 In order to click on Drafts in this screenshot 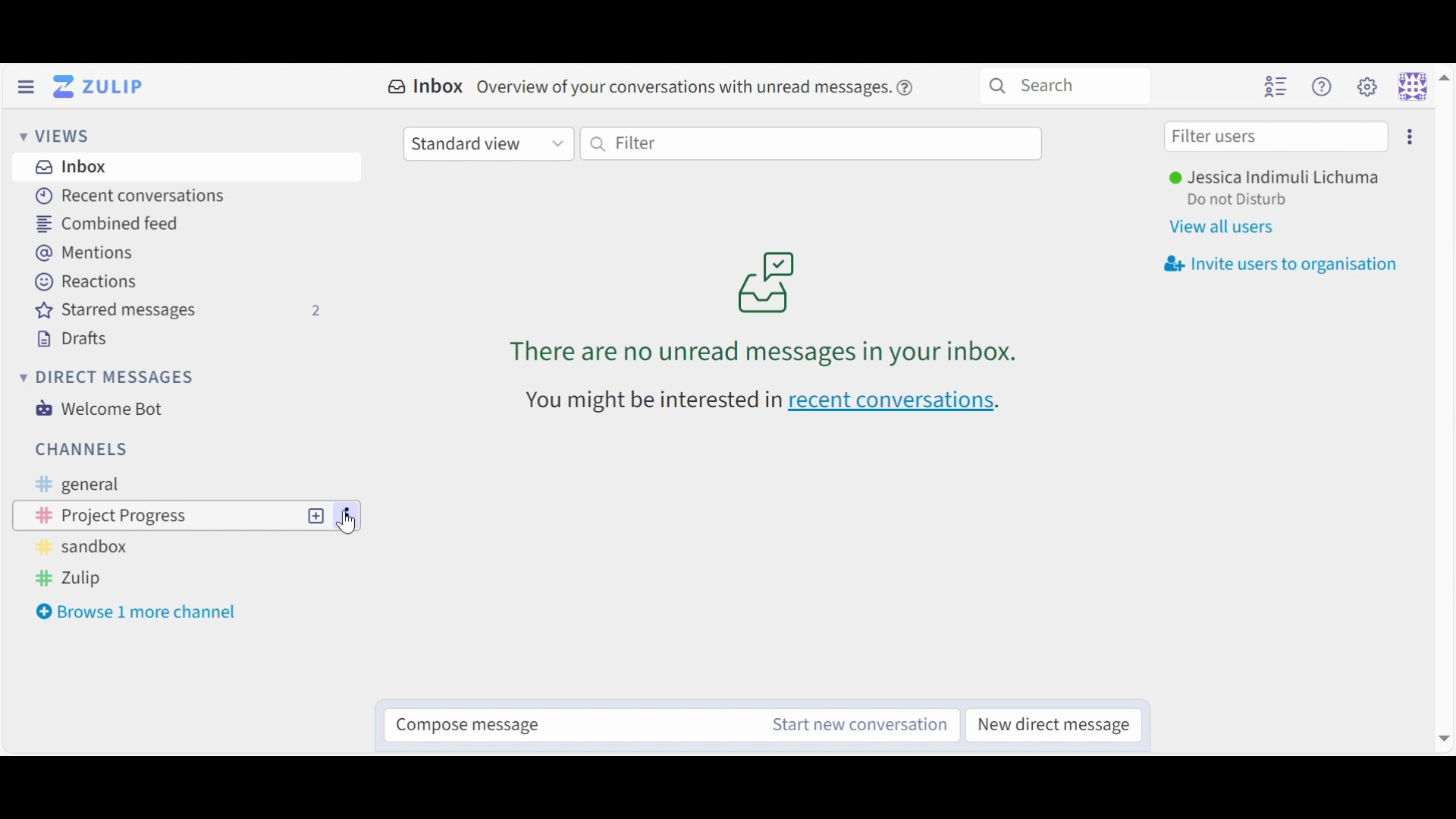, I will do `click(77, 340)`.